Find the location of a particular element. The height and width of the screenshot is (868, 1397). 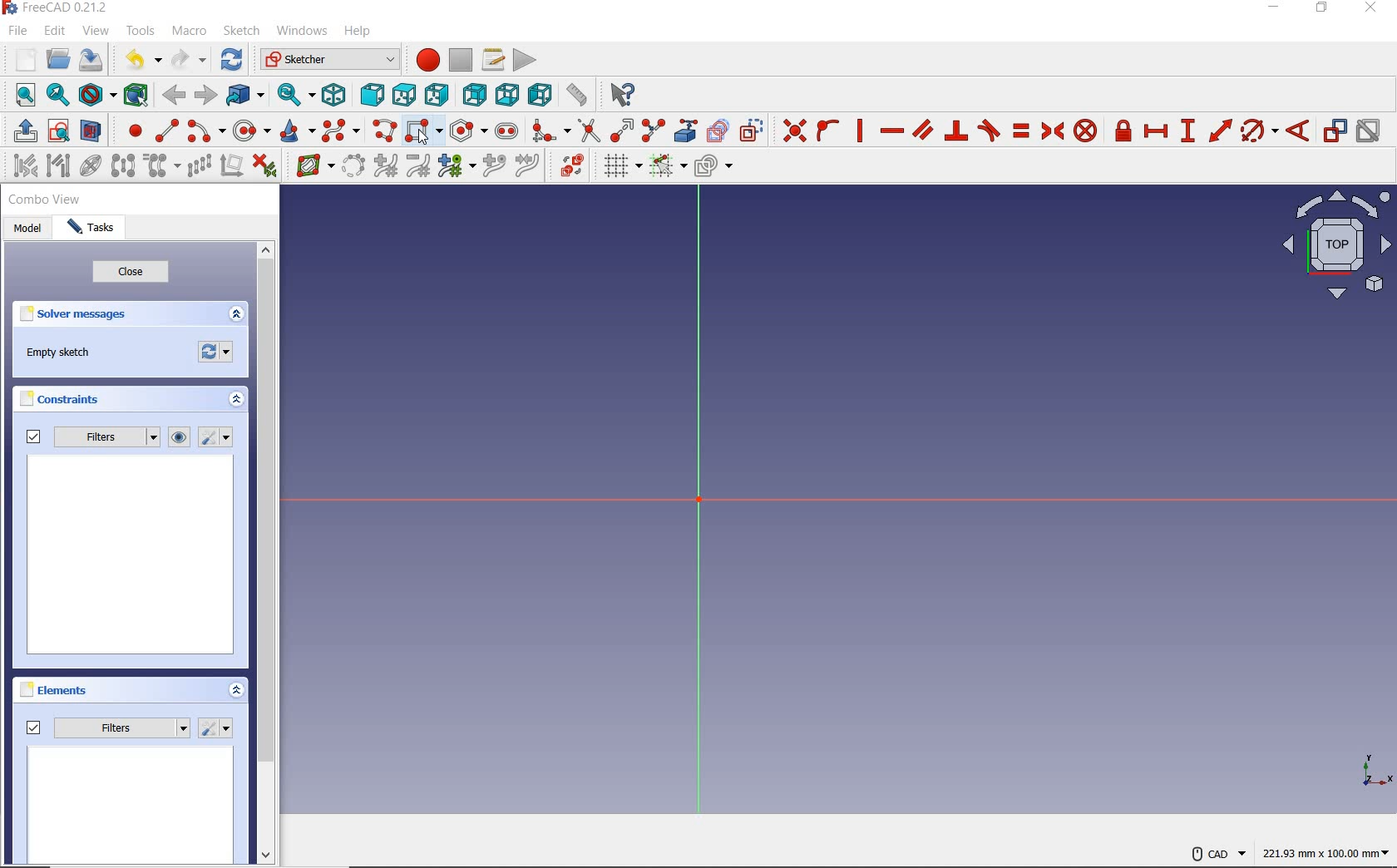

constrain tangent is located at coordinates (990, 131).